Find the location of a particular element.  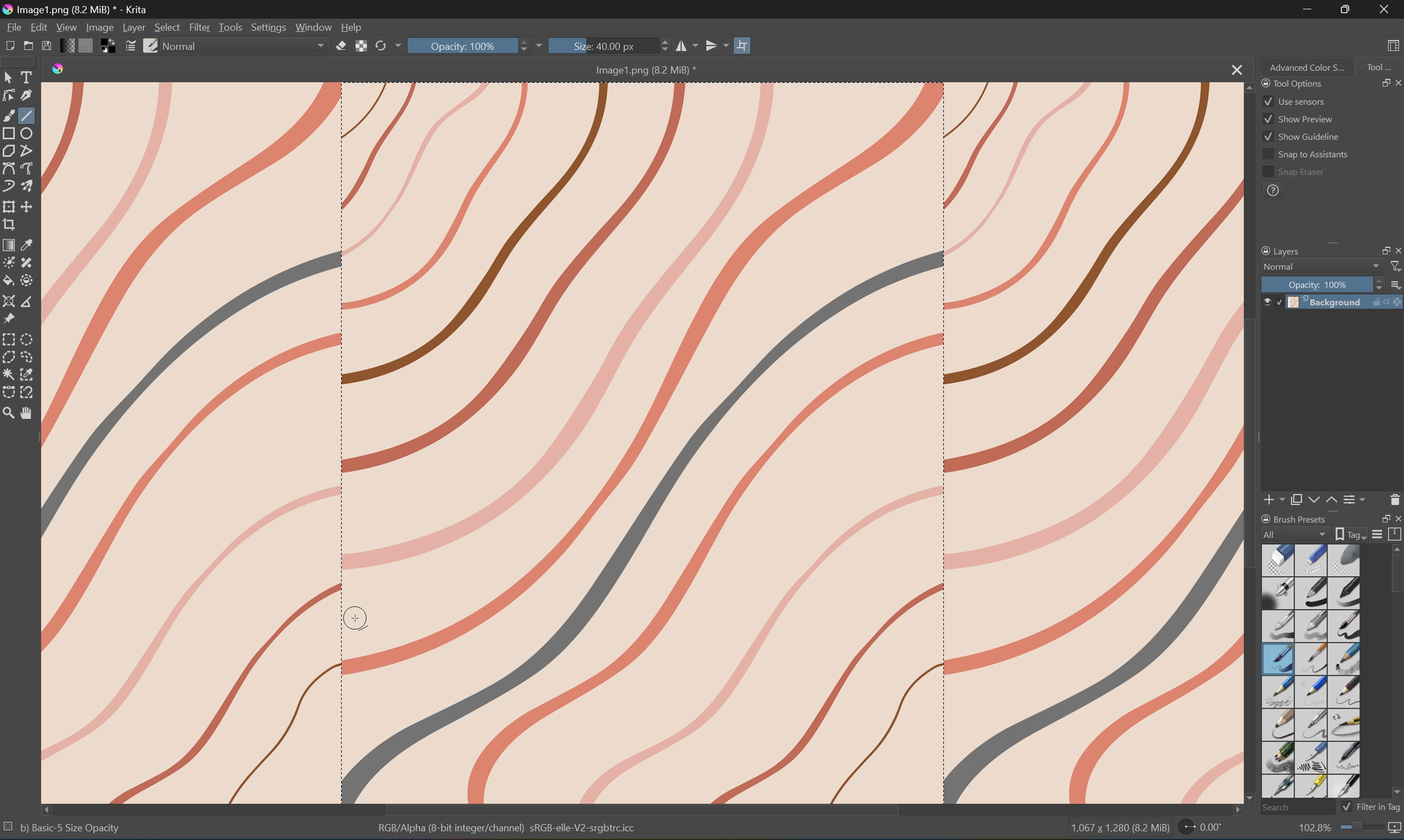

Visibility is located at coordinates (1265, 298).